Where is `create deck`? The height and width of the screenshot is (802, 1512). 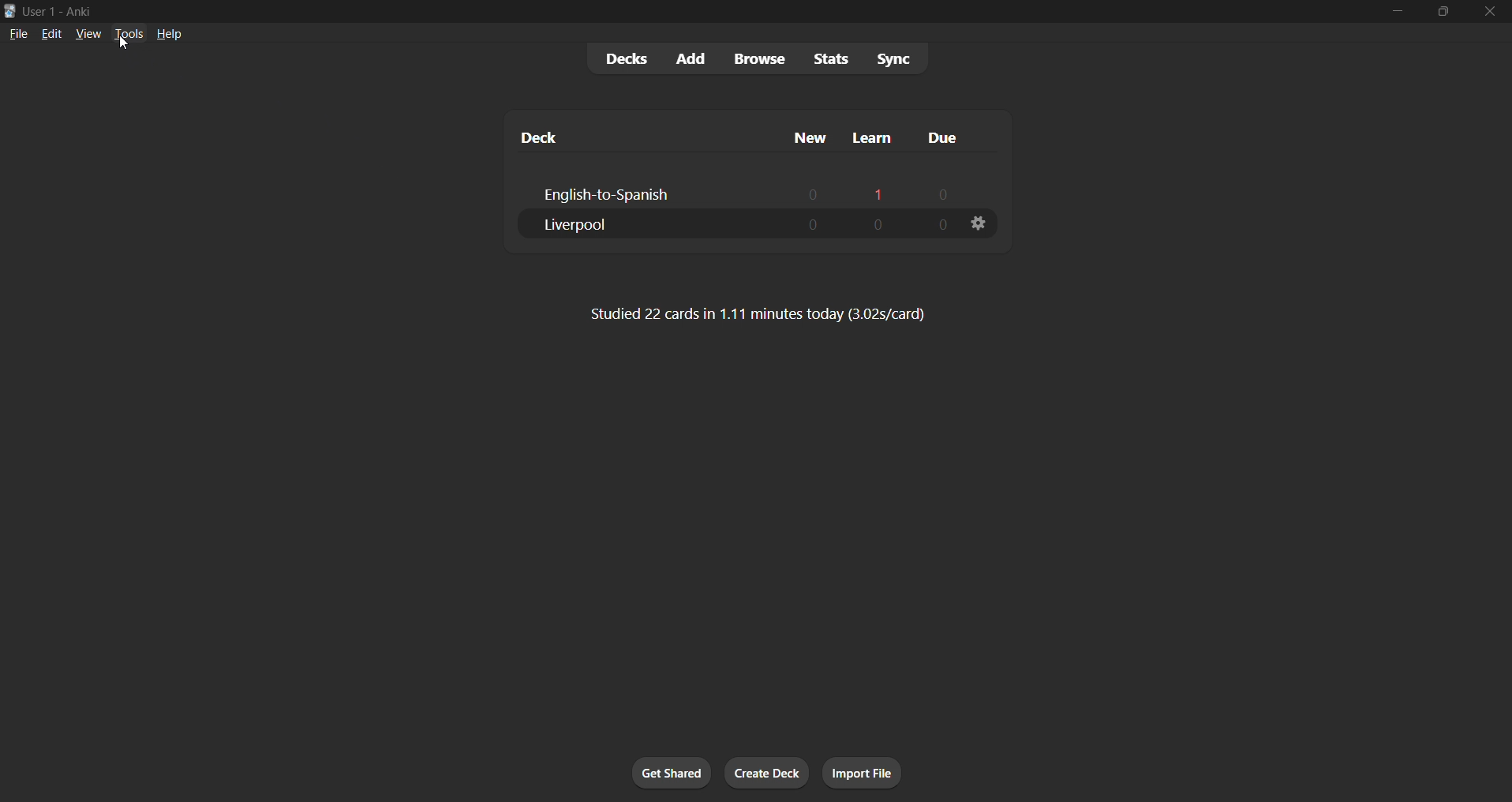
create deck is located at coordinates (762, 775).